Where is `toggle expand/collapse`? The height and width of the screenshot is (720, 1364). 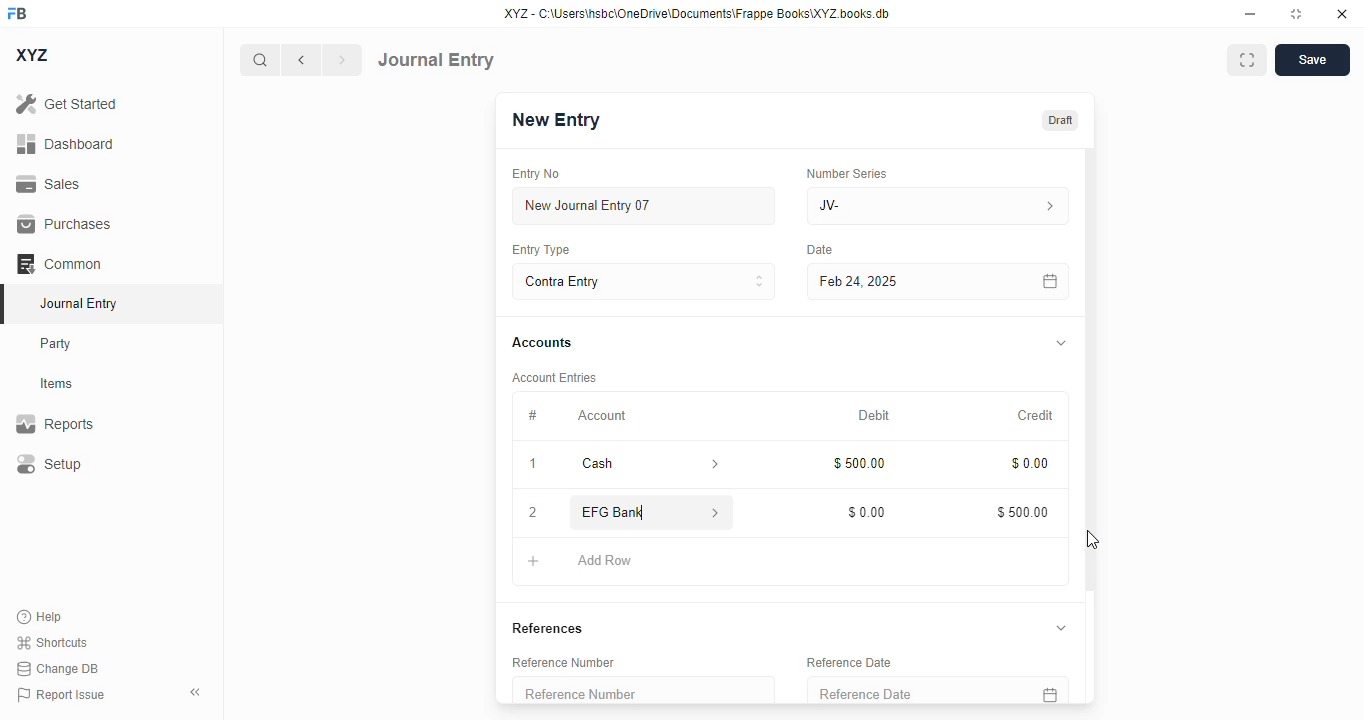 toggle expand/collapse is located at coordinates (1061, 627).